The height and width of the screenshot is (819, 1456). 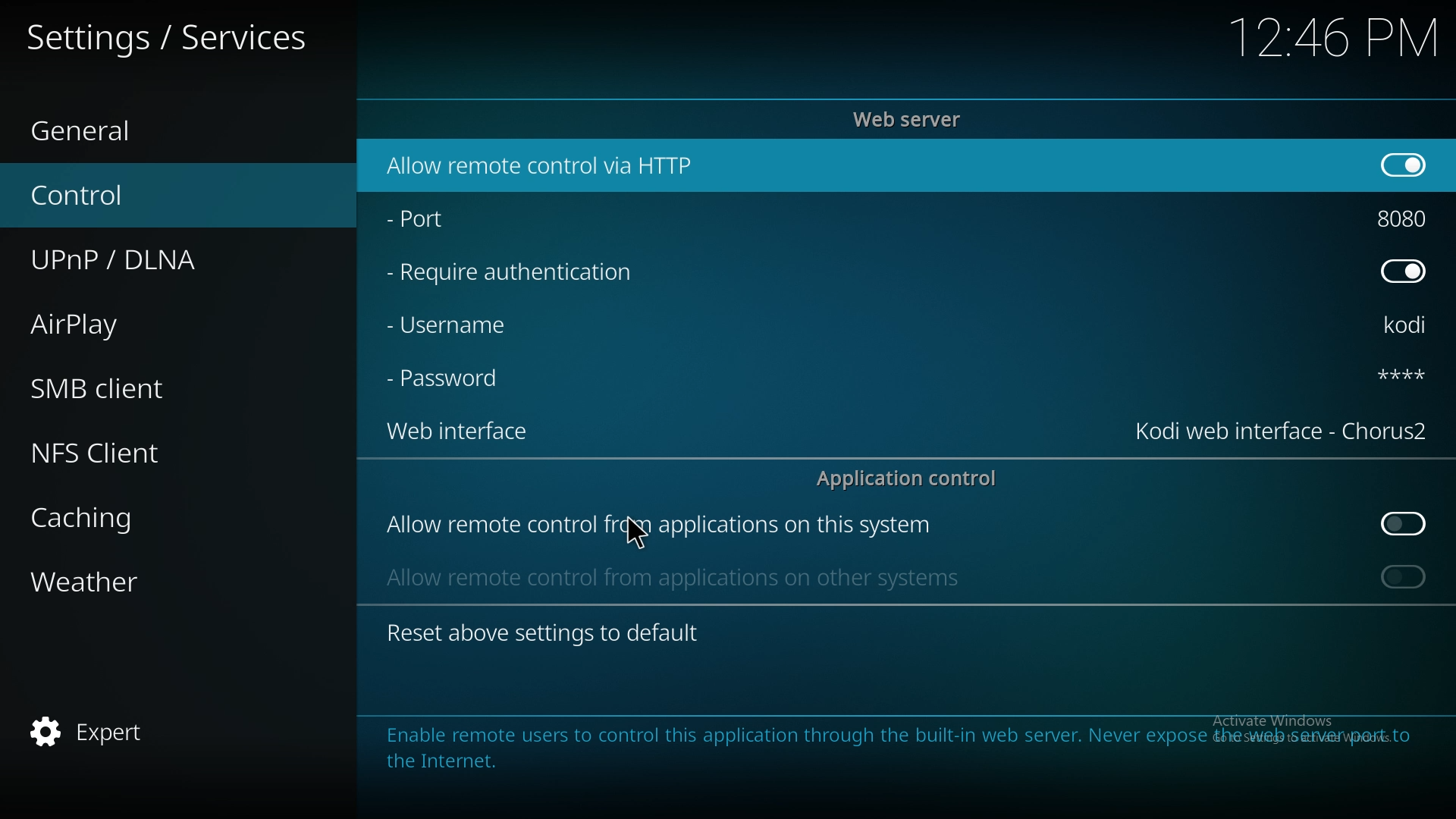 I want to click on cursor, so click(x=642, y=535).